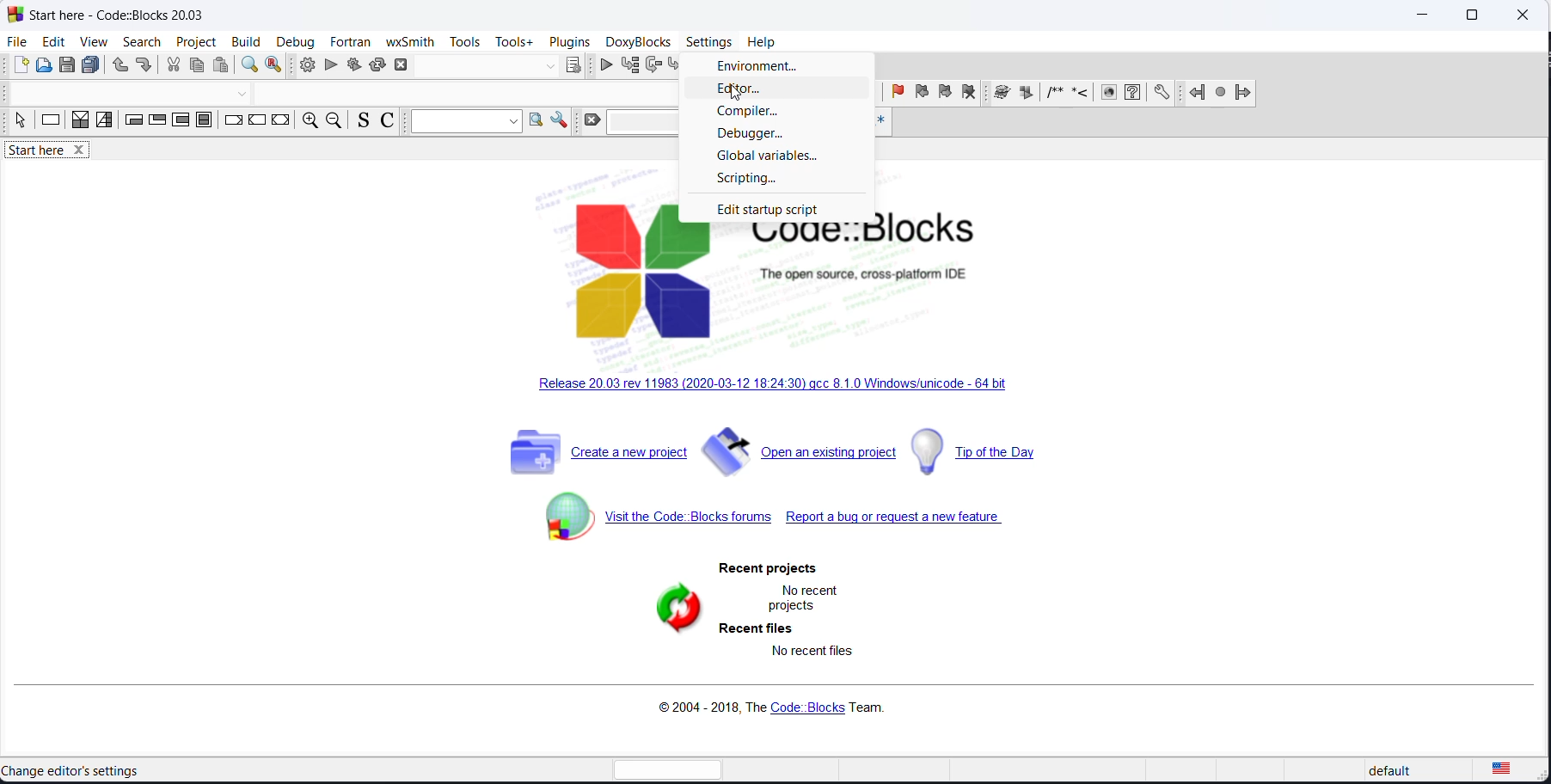 This screenshot has width=1551, height=784. Describe the element at coordinates (803, 452) in the screenshot. I see `open existing project` at that location.